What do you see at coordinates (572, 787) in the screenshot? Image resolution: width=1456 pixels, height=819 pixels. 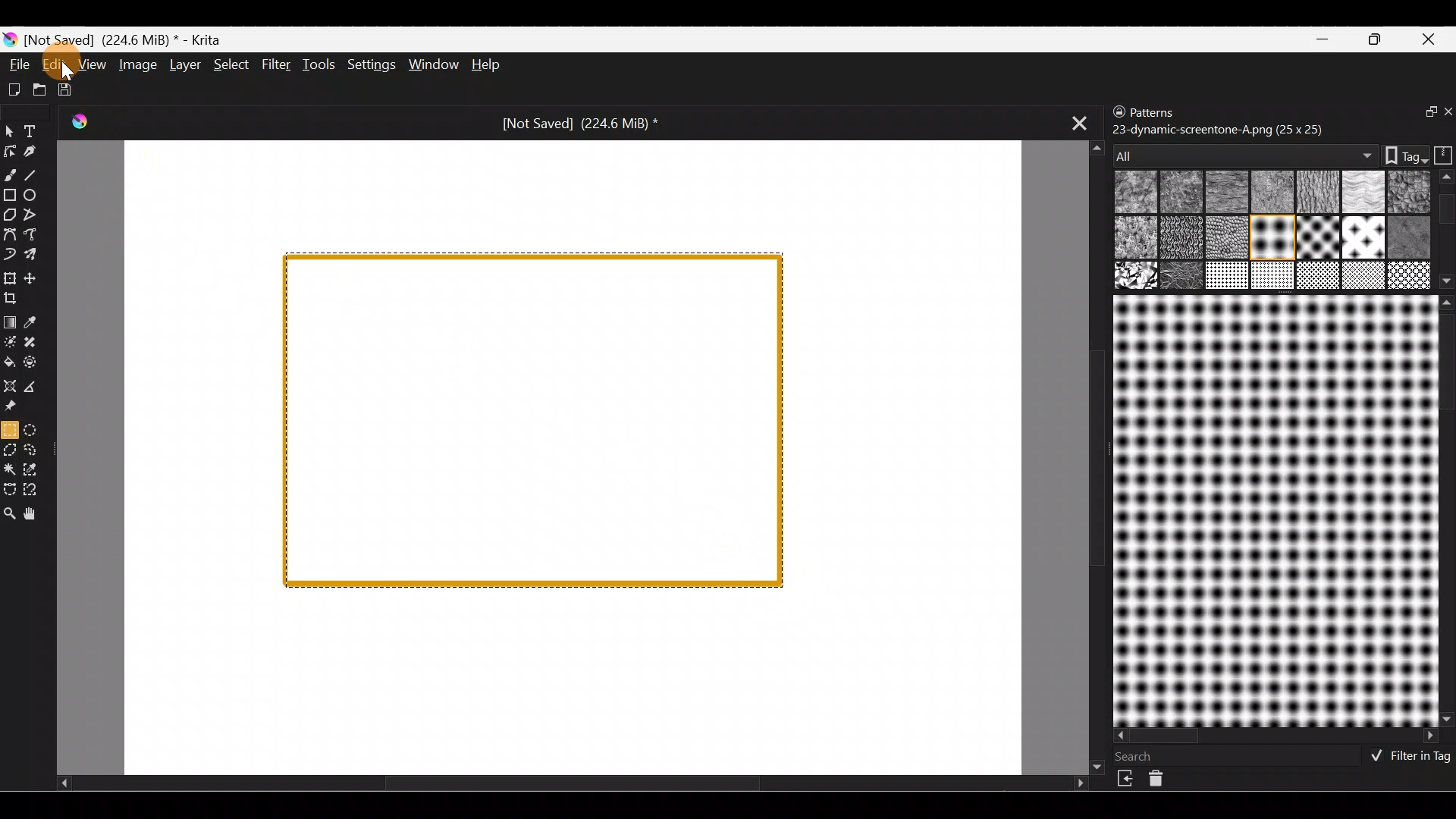 I see `Scroll tab` at bounding box center [572, 787].